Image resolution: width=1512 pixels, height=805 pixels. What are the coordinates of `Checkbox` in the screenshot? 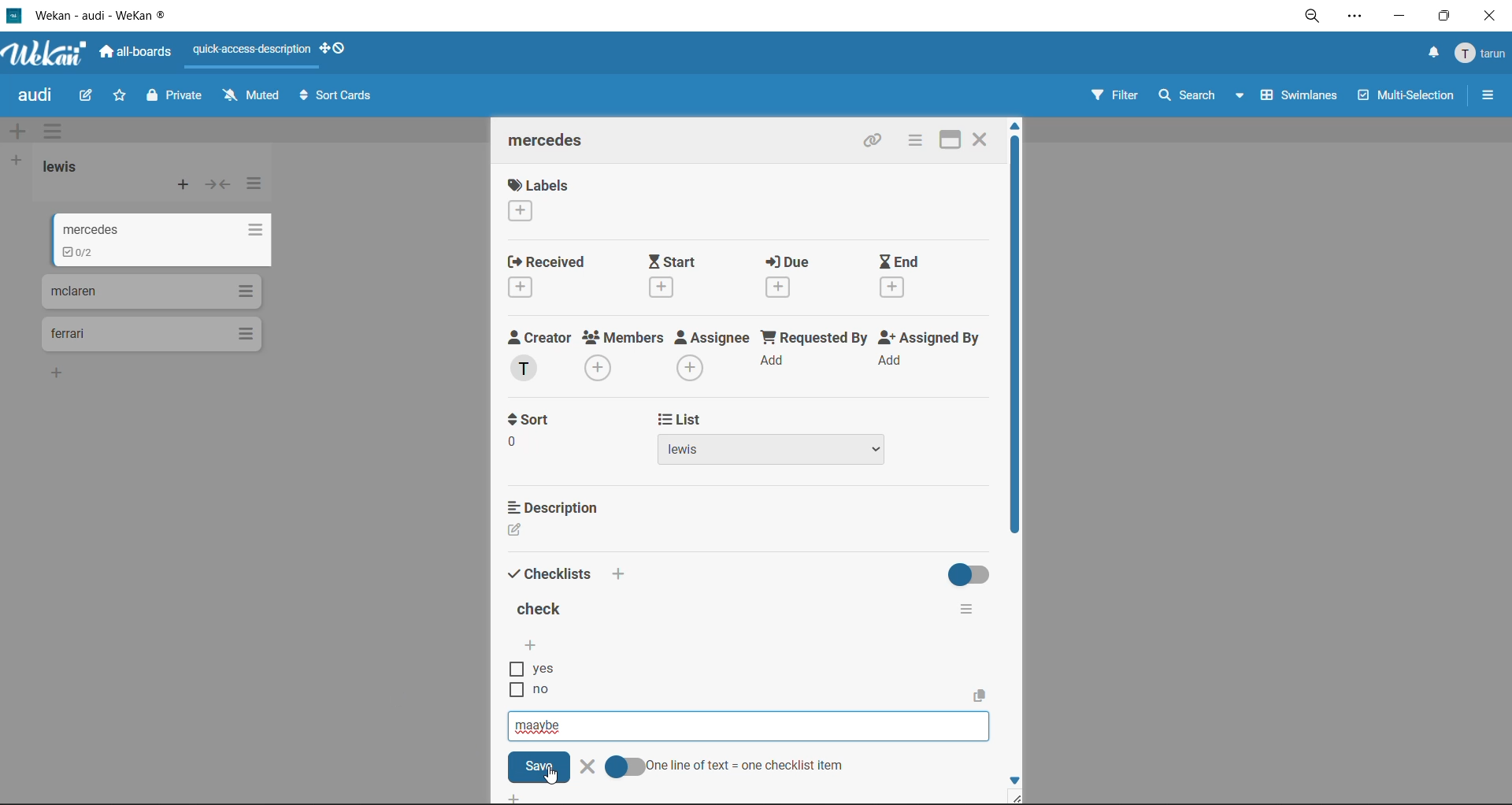 It's located at (512, 691).